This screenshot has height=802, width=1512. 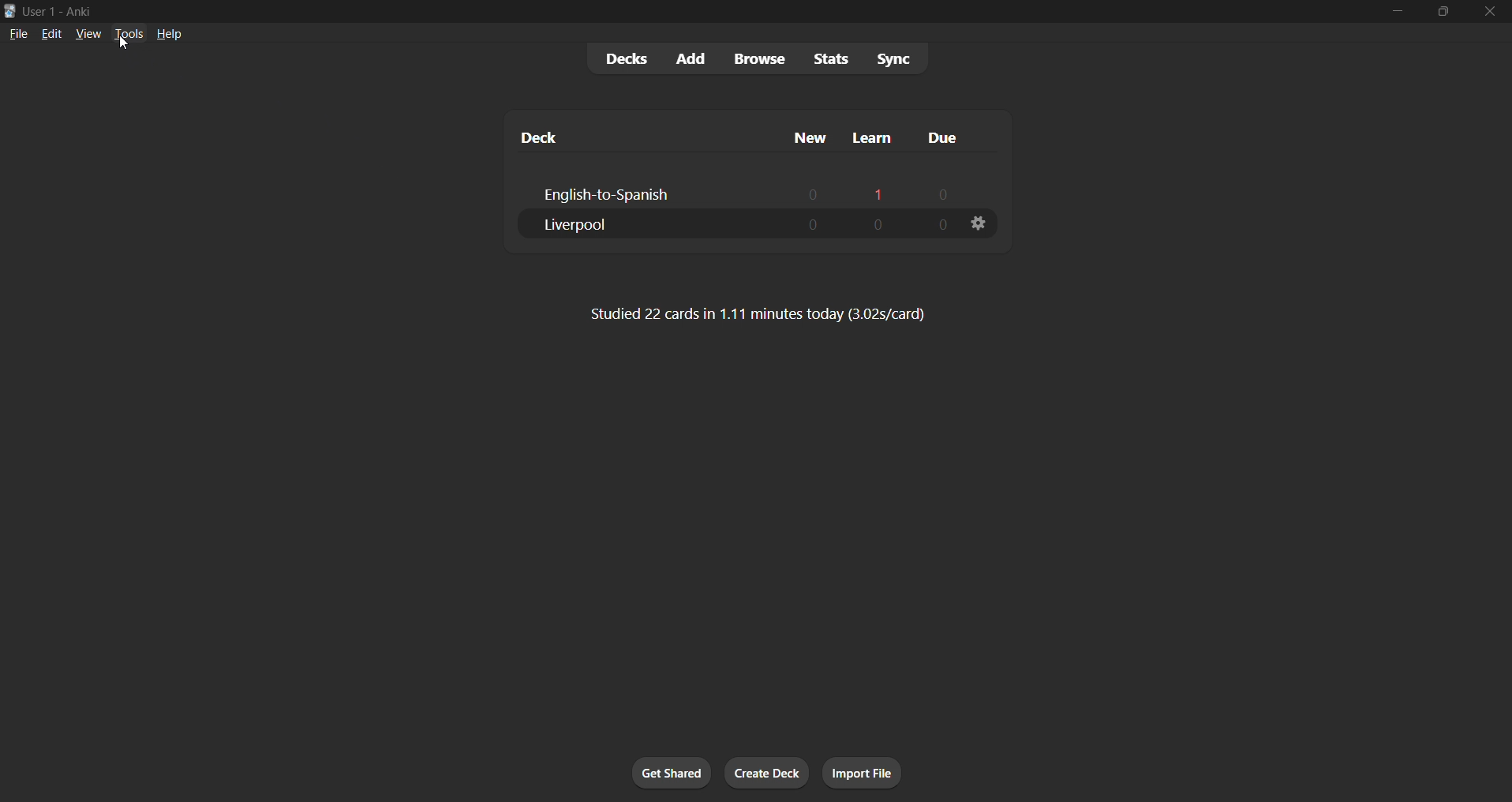 What do you see at coordinates (123, 36) in the screenshot?
I see `tools` at bounding box center [123, 36].